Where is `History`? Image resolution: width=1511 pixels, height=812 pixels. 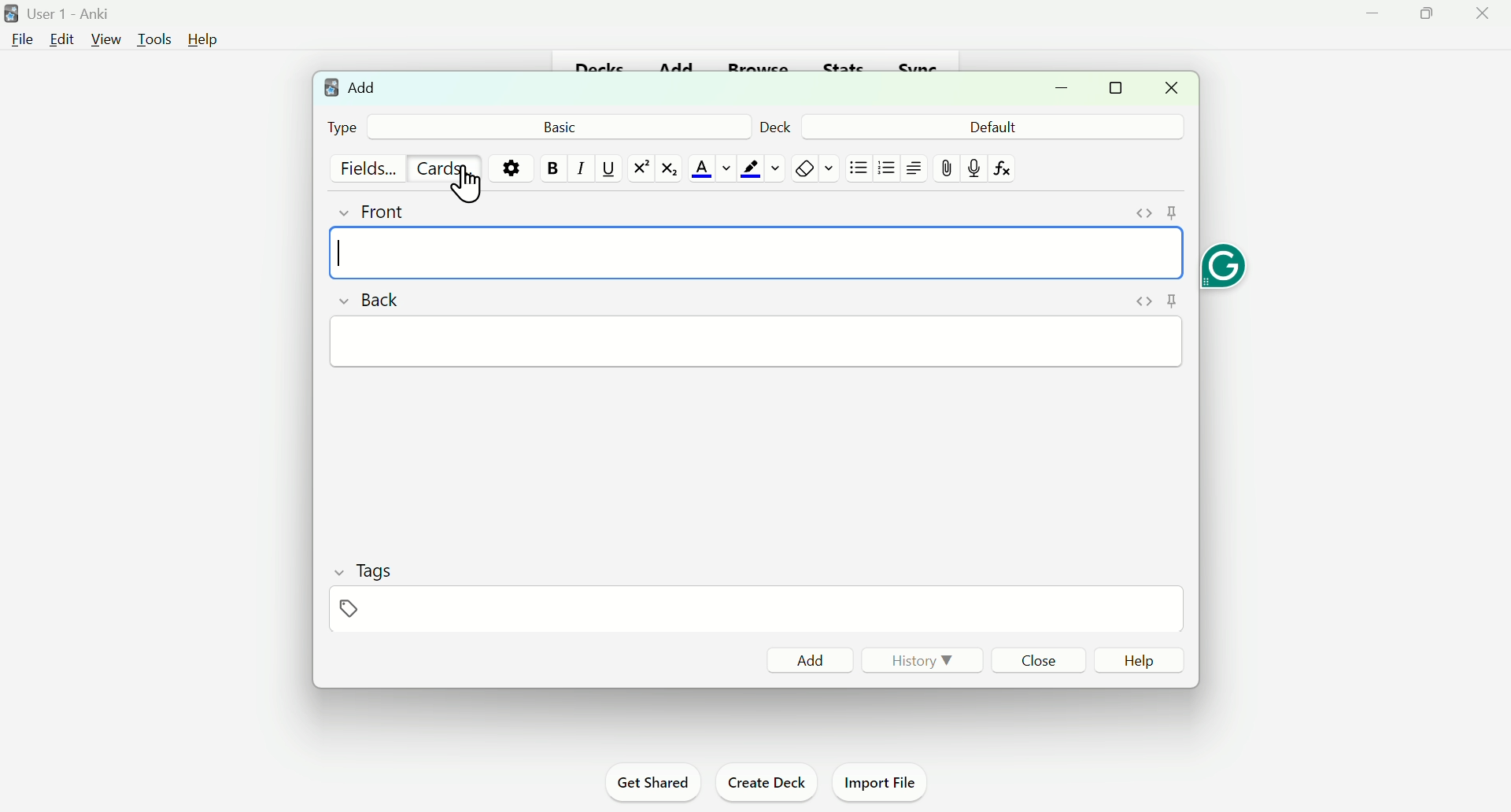
History is located at coordinates (921, 660).